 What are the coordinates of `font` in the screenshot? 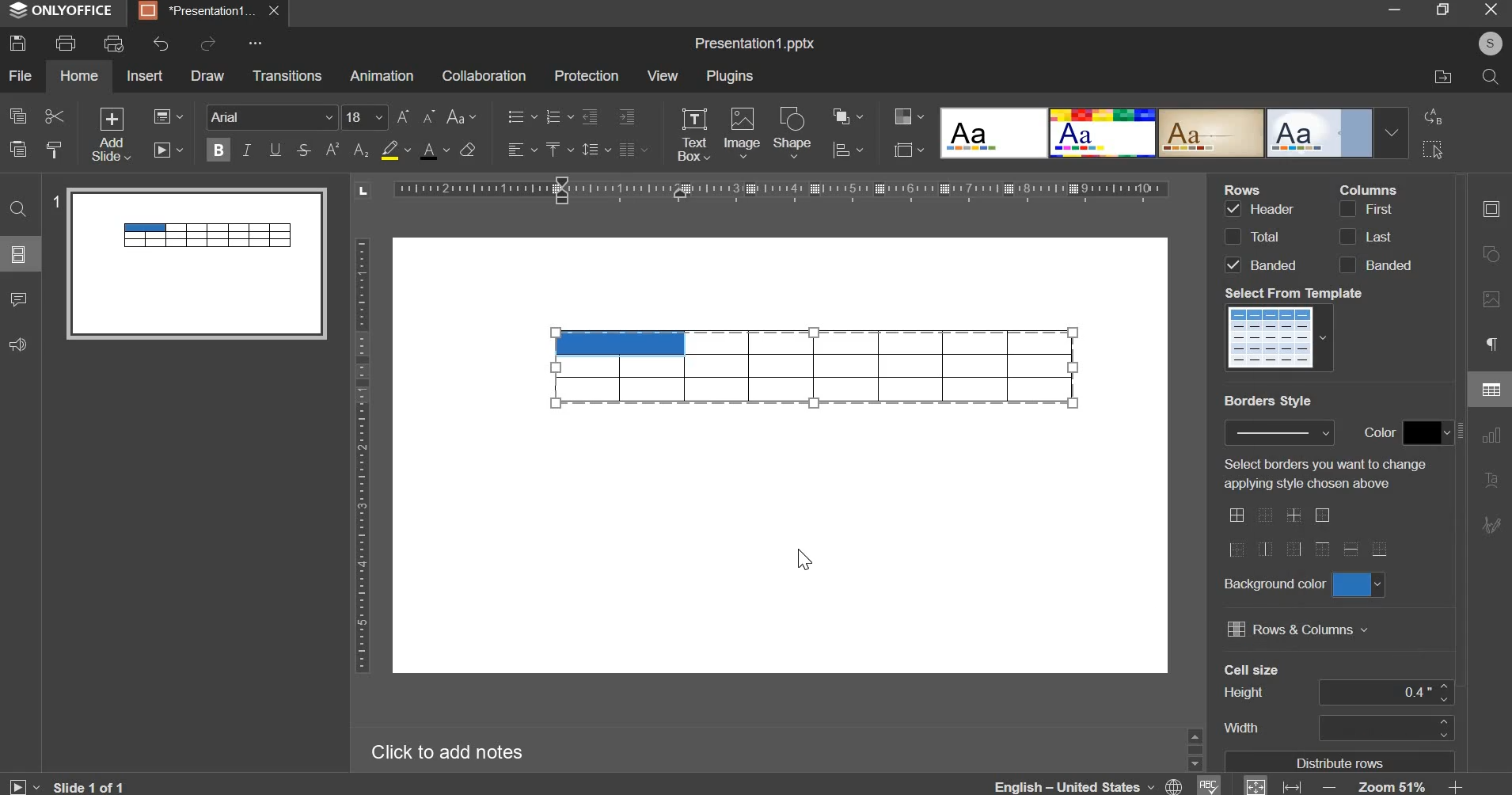 It's located at (273, 116).